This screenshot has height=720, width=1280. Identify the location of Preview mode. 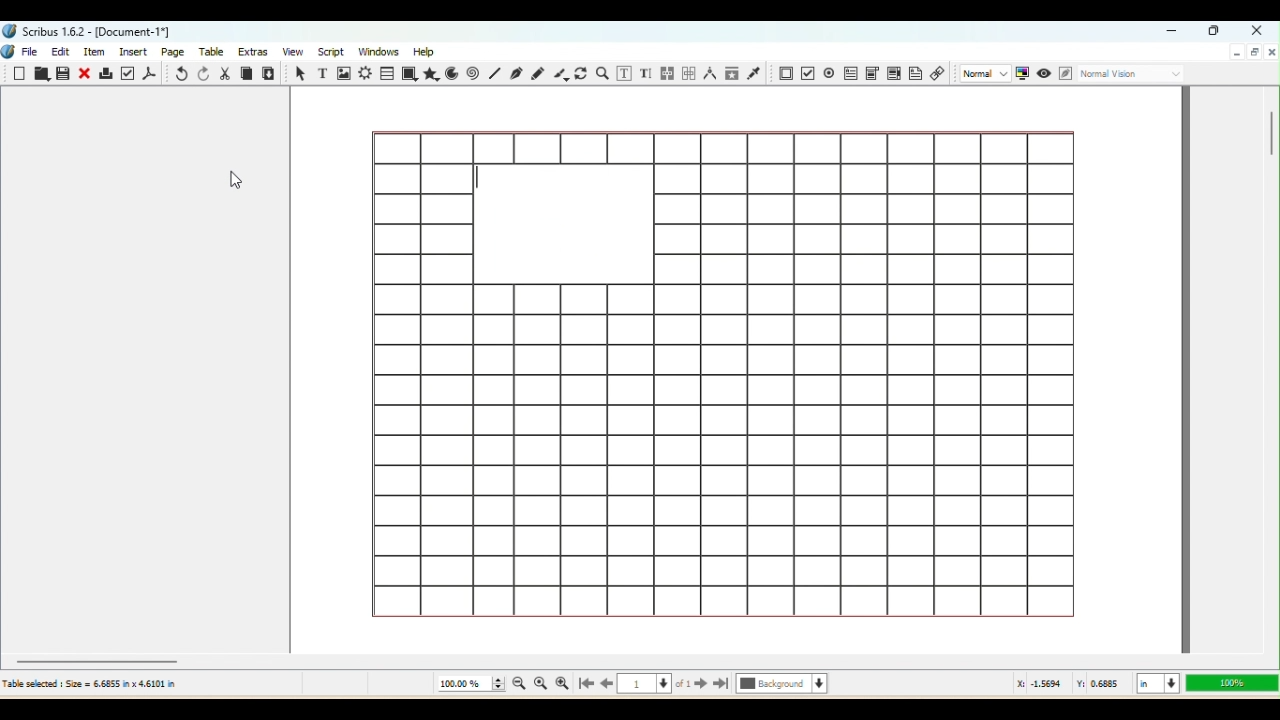
(1043, 72).